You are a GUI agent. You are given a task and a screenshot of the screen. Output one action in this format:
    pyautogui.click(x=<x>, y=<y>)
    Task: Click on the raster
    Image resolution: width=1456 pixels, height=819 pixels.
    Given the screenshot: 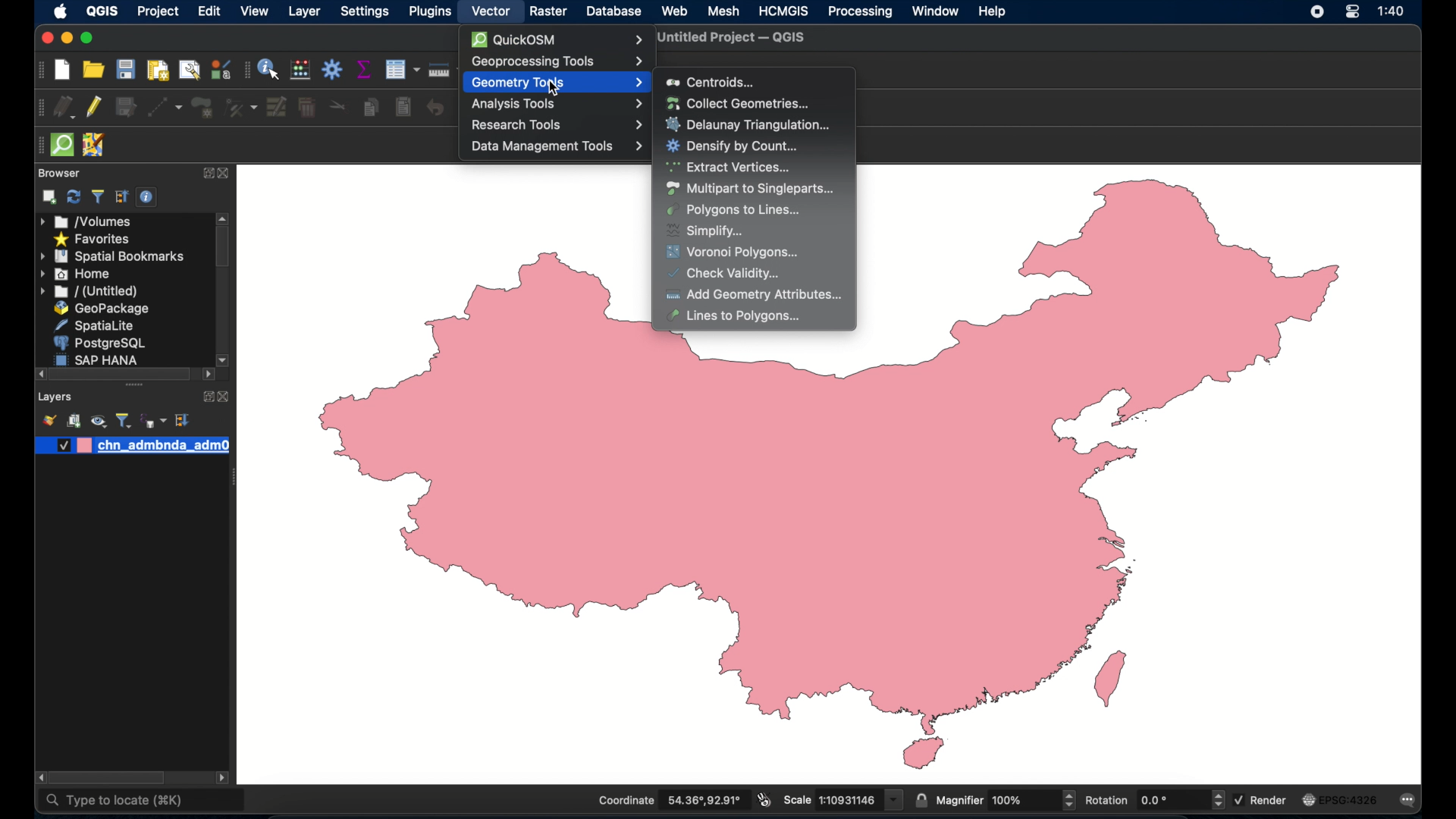 What is the action you would take?
    pyautogui.click(x=548, y=11)
    